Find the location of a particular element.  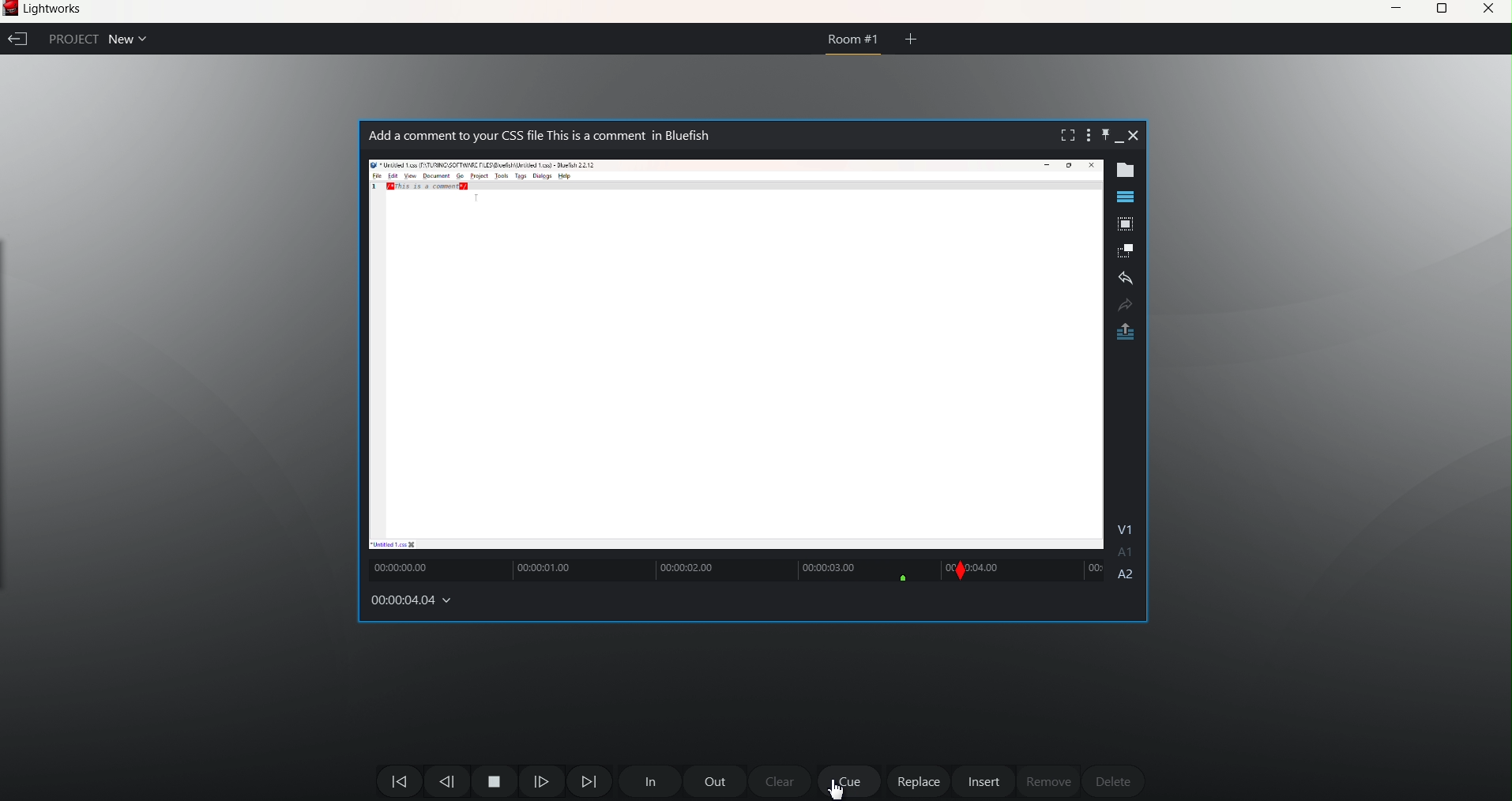

exit is located at coordinates (17, 39).